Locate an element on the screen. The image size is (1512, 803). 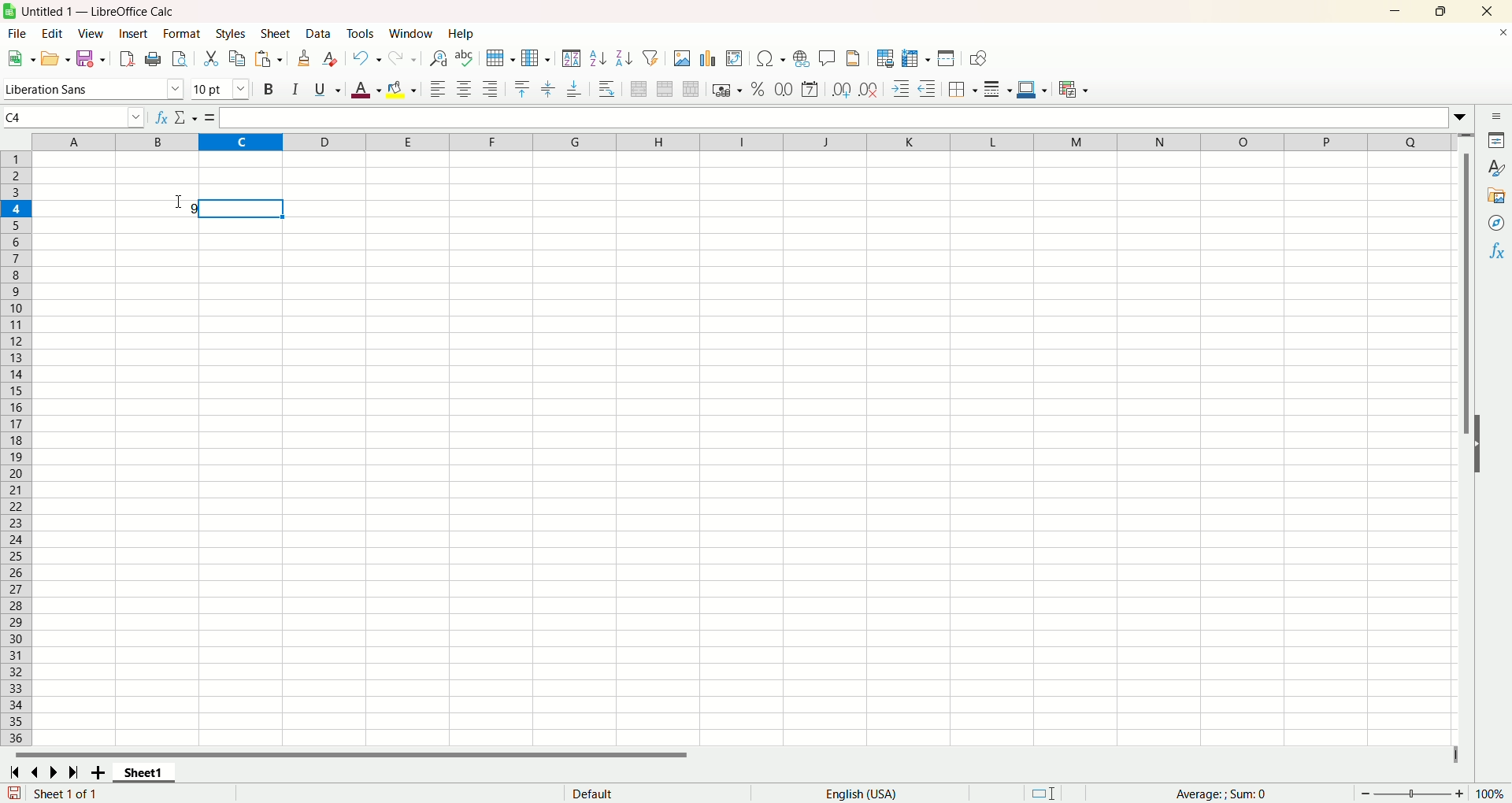
icon is located at coordinates (13, 13).